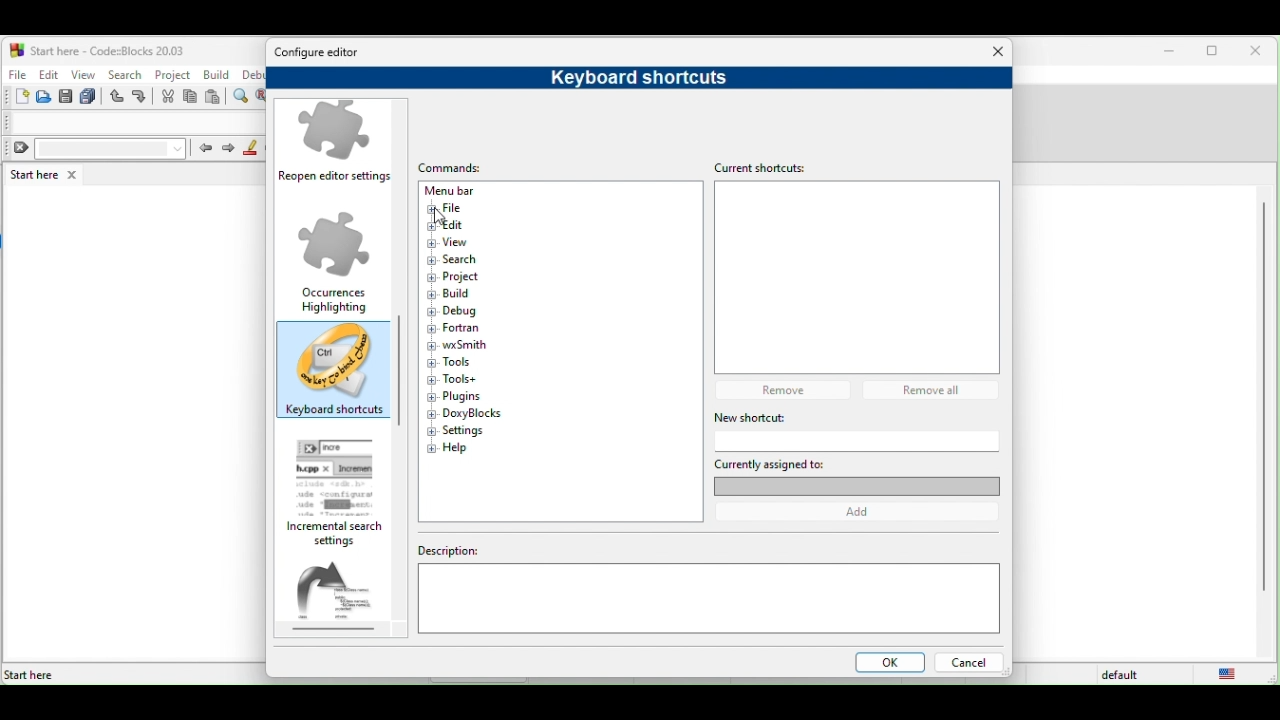  Describe the element at coordinates (398, 354) in the screenshot. I see `scroll bar moved` at that location.